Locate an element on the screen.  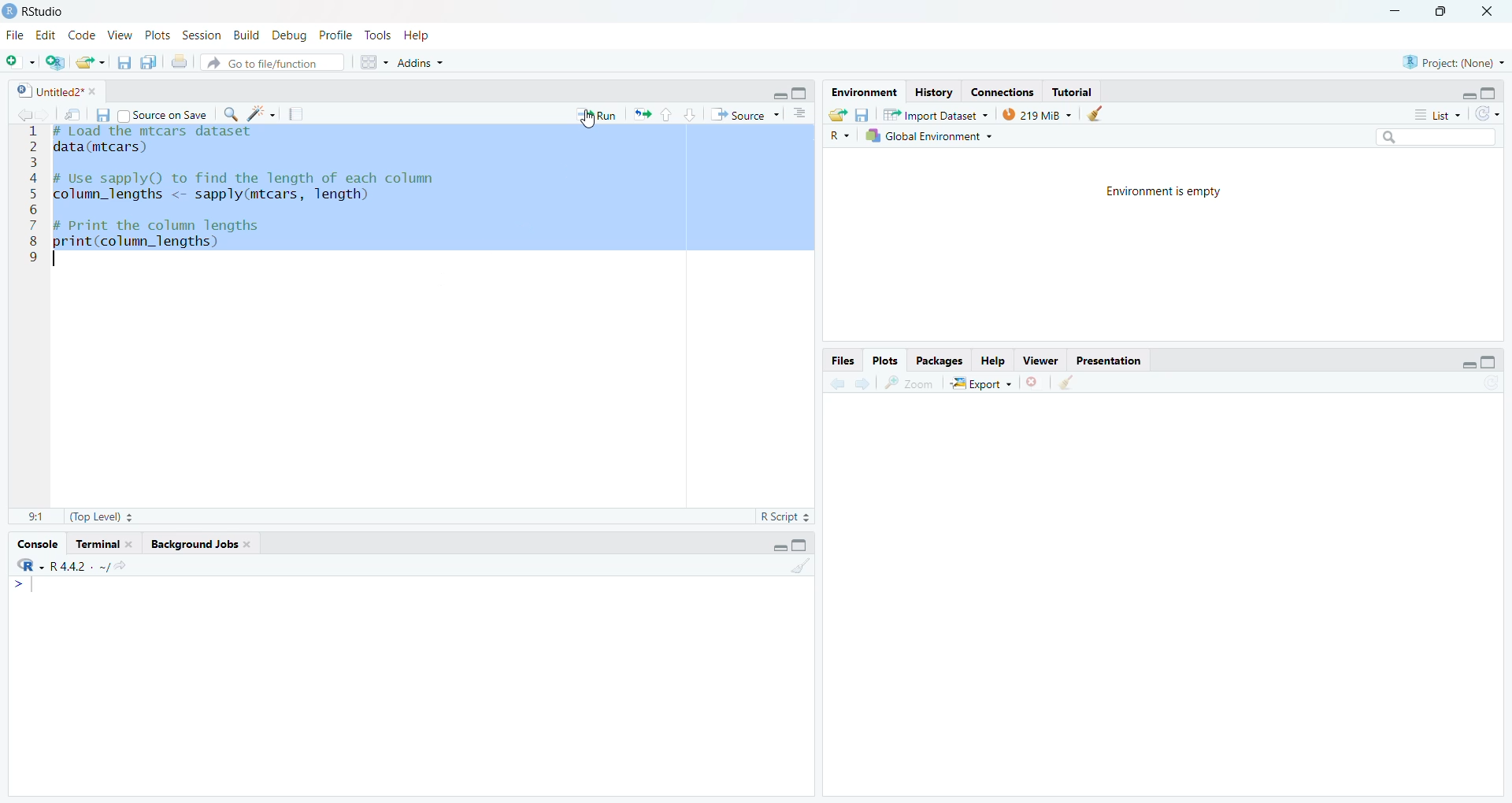
R is located at coordinates (839, 135).